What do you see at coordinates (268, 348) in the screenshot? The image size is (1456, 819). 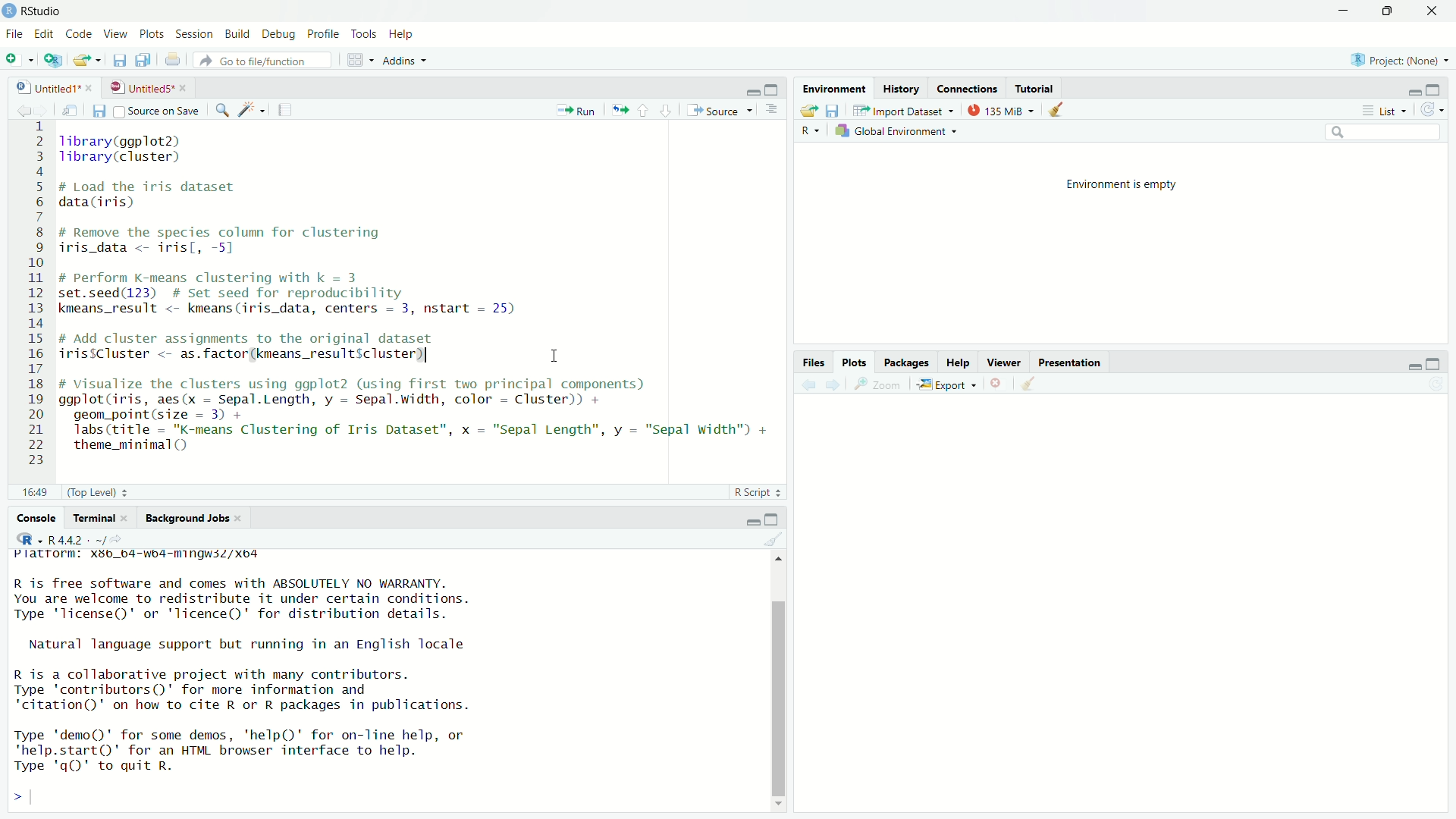 I see `# Add cluster assignments to the original dataset  irisiCluster <- as.factor(kmeans_resultScluster)` at bounding box center [268, 348].